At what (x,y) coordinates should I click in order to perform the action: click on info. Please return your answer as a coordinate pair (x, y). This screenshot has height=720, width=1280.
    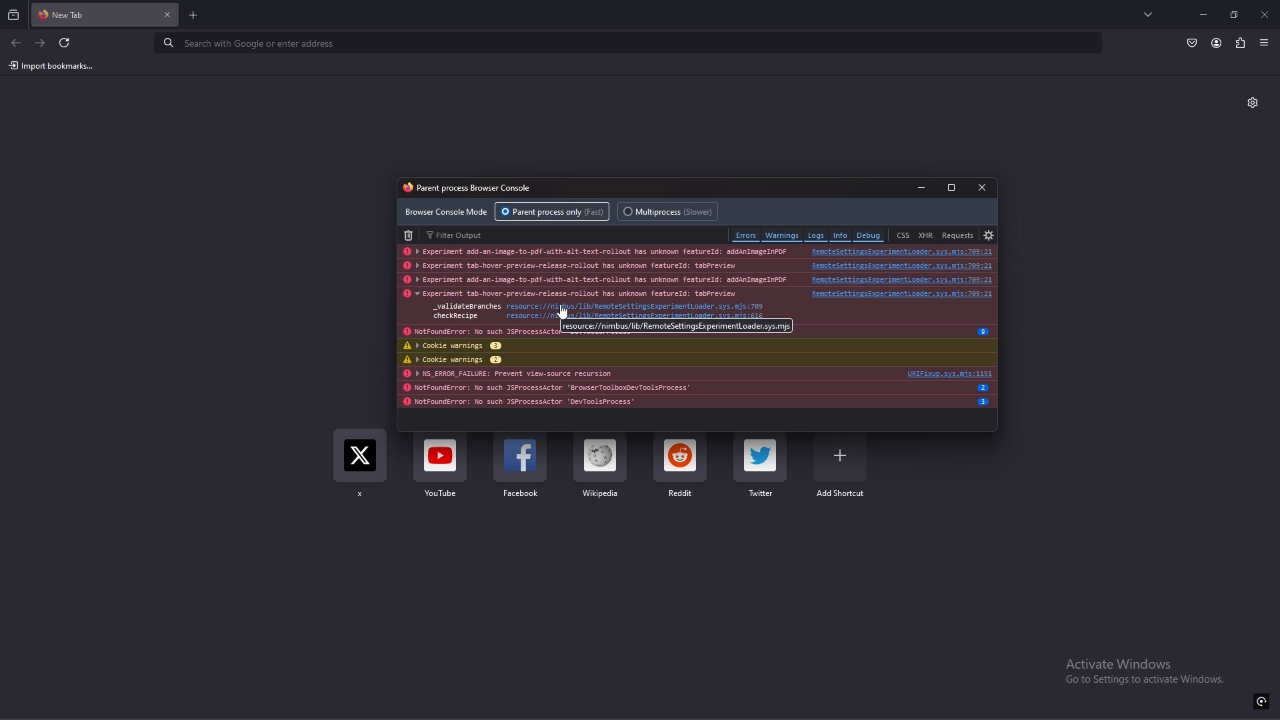
    Looking at the image, I should click on (841, 236).